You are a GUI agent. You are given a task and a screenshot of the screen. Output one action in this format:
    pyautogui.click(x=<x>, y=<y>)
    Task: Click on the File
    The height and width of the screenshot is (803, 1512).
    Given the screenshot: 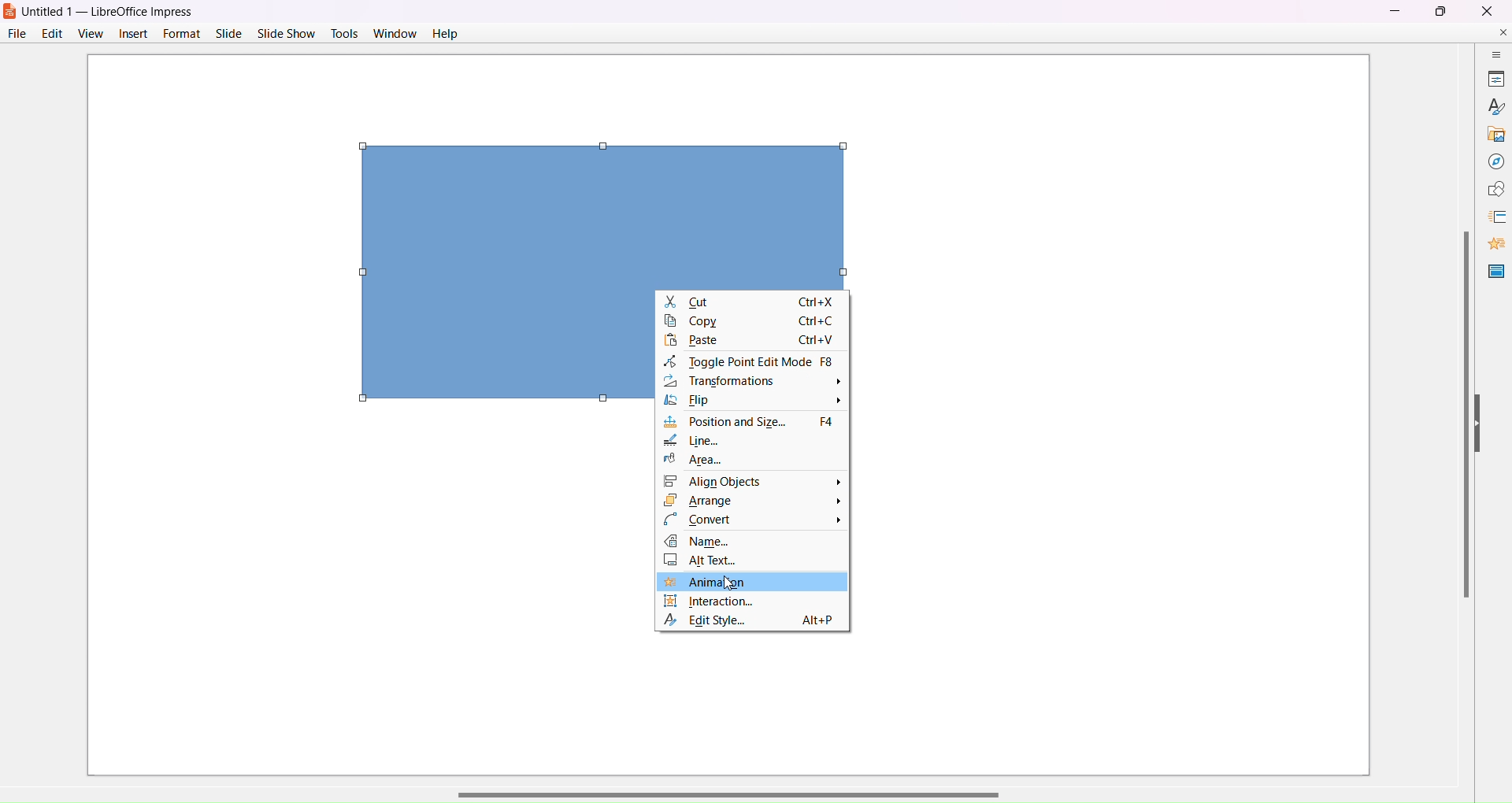 What is the action you would take?
    pyautogui.click(x=16, y=33)
    